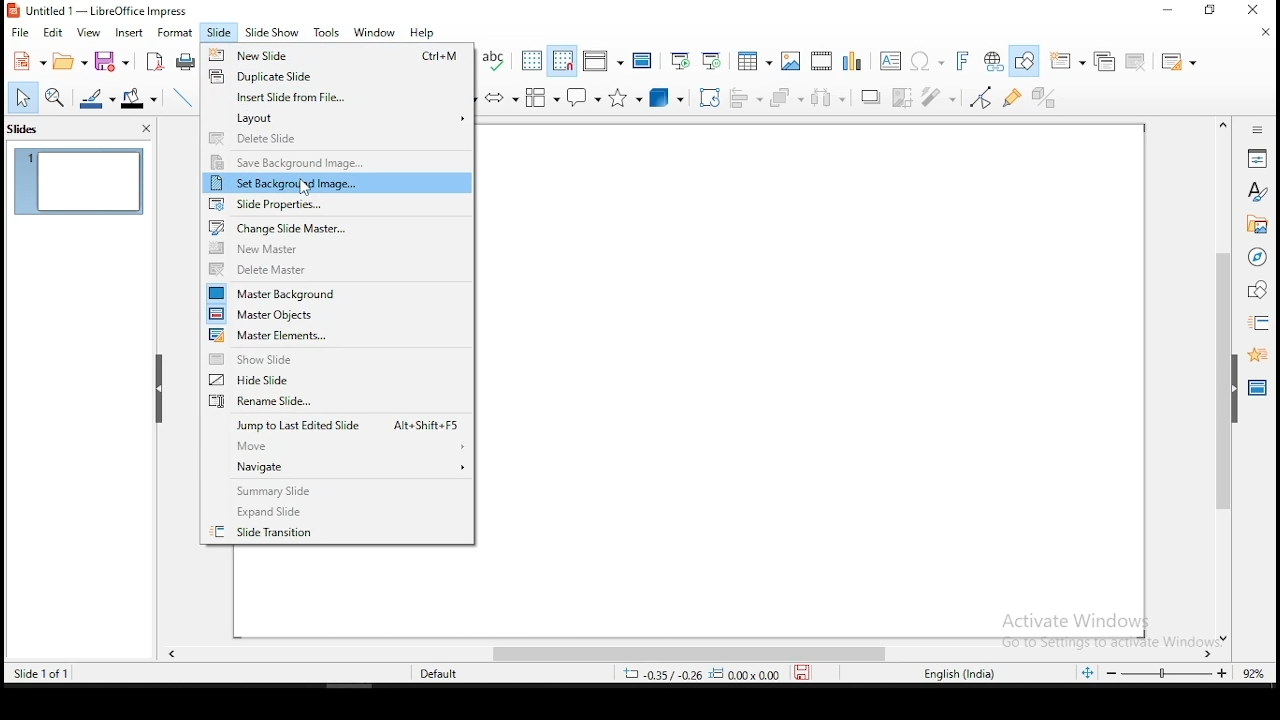 This screenshot has width=1280, height=720. What do you see at coordinates (338, 335) in the screenshot?
I see `master elements` at bounding box center [338, 335].